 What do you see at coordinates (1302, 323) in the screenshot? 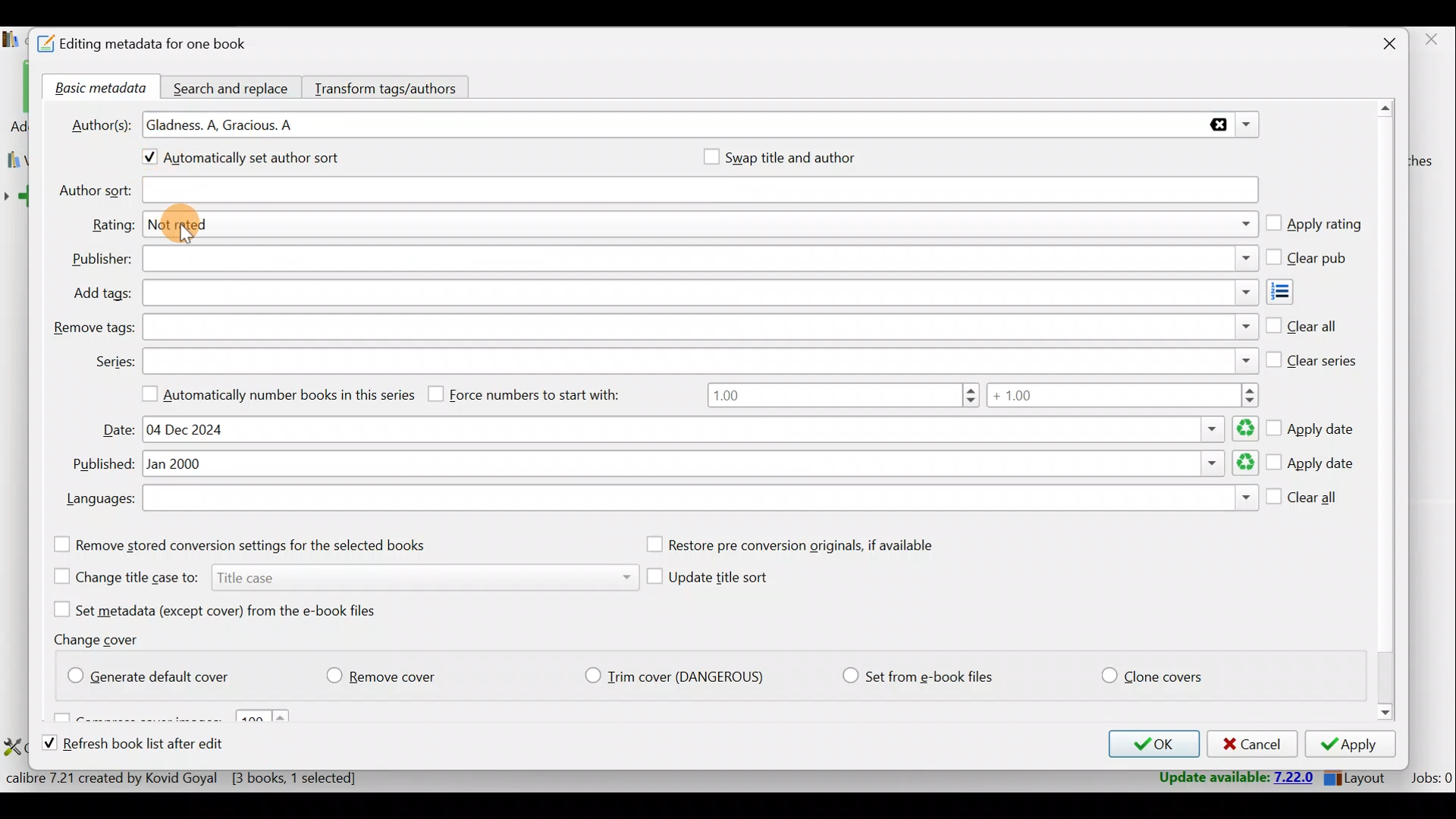
I see `Clear all` at bounding box center [1302, 323].